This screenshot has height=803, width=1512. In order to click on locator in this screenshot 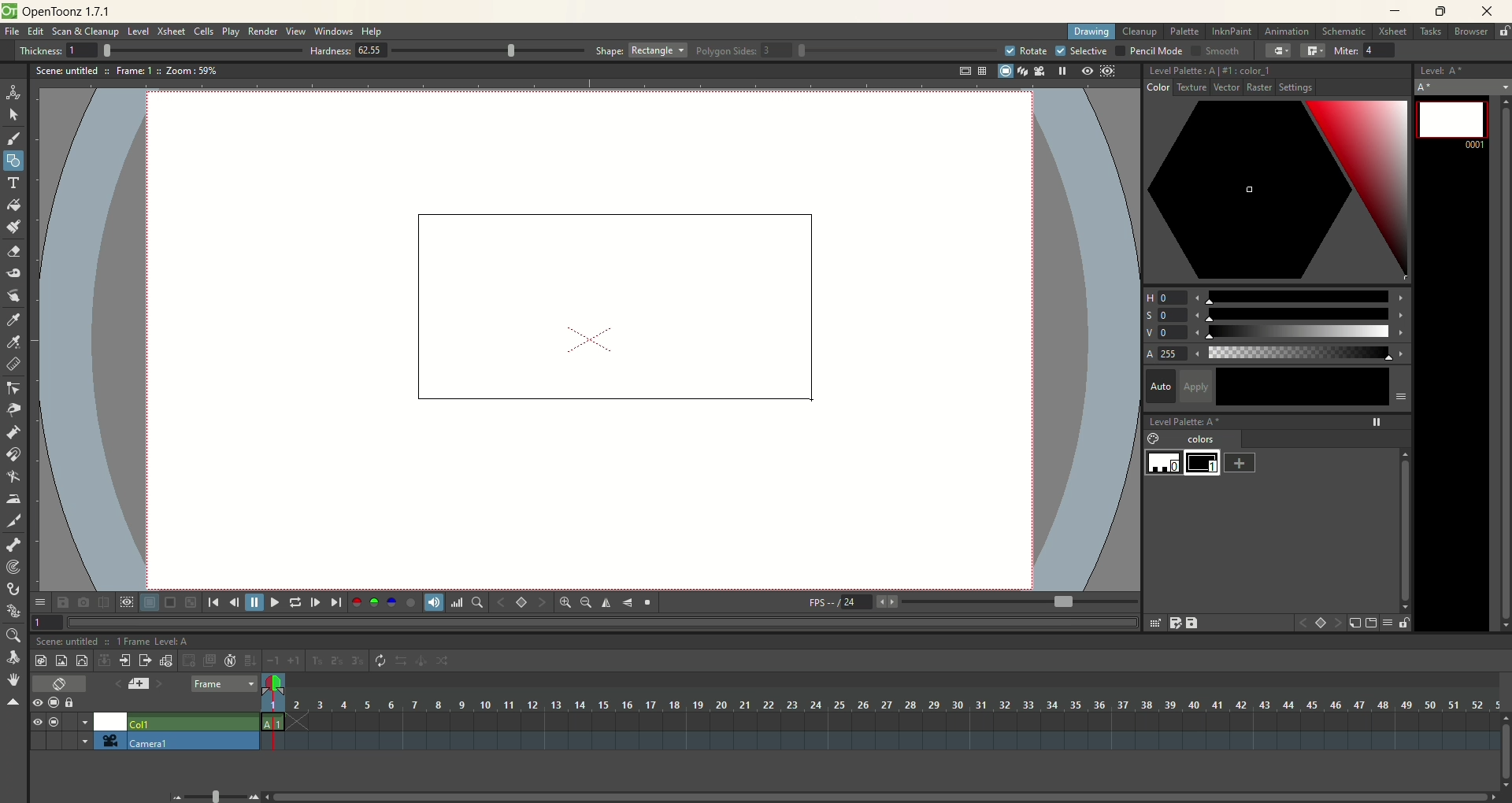, I will do `click(476, 602)`.